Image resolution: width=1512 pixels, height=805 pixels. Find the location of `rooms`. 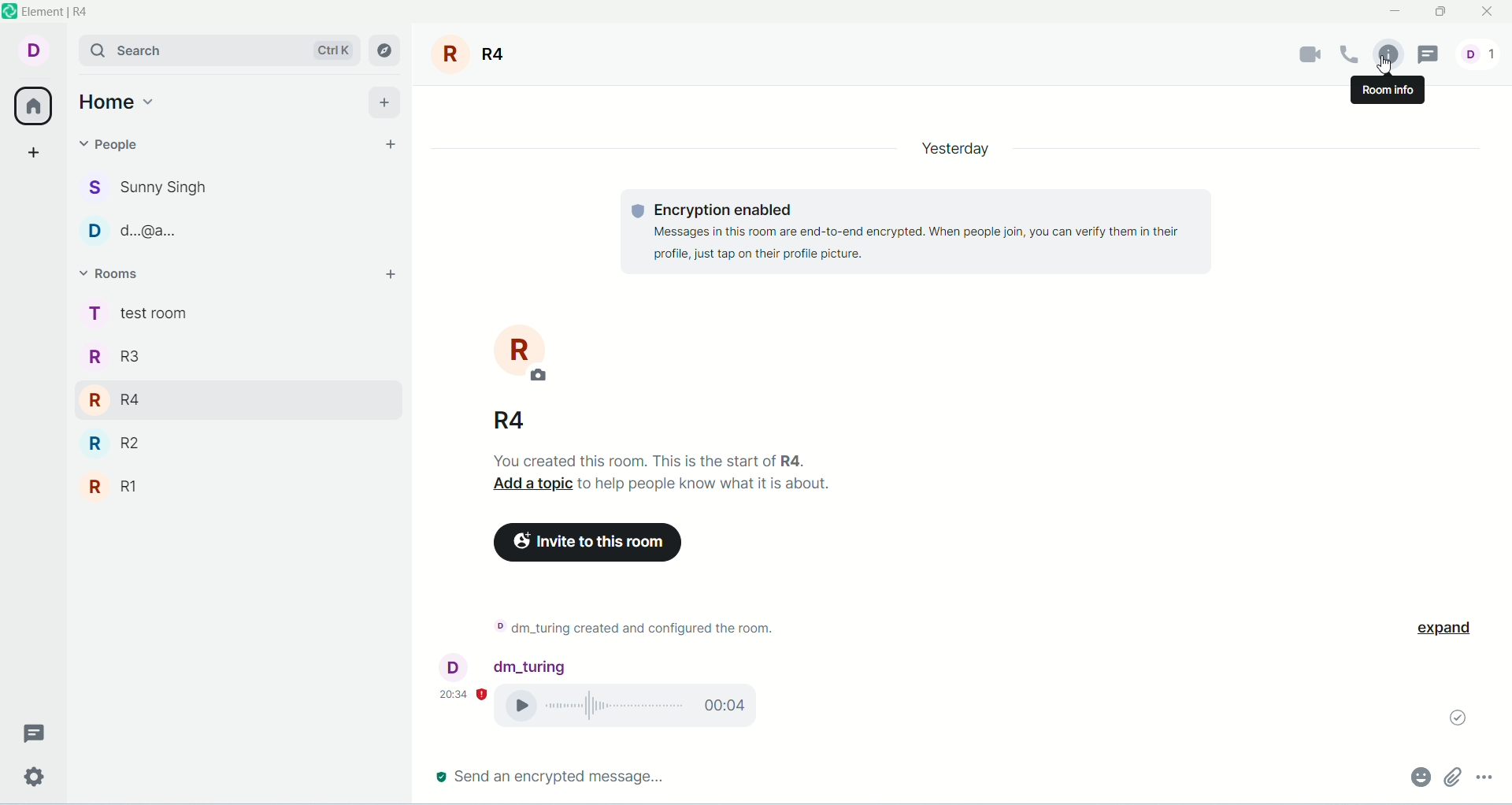

rooms is located at coordinates (136, 406).